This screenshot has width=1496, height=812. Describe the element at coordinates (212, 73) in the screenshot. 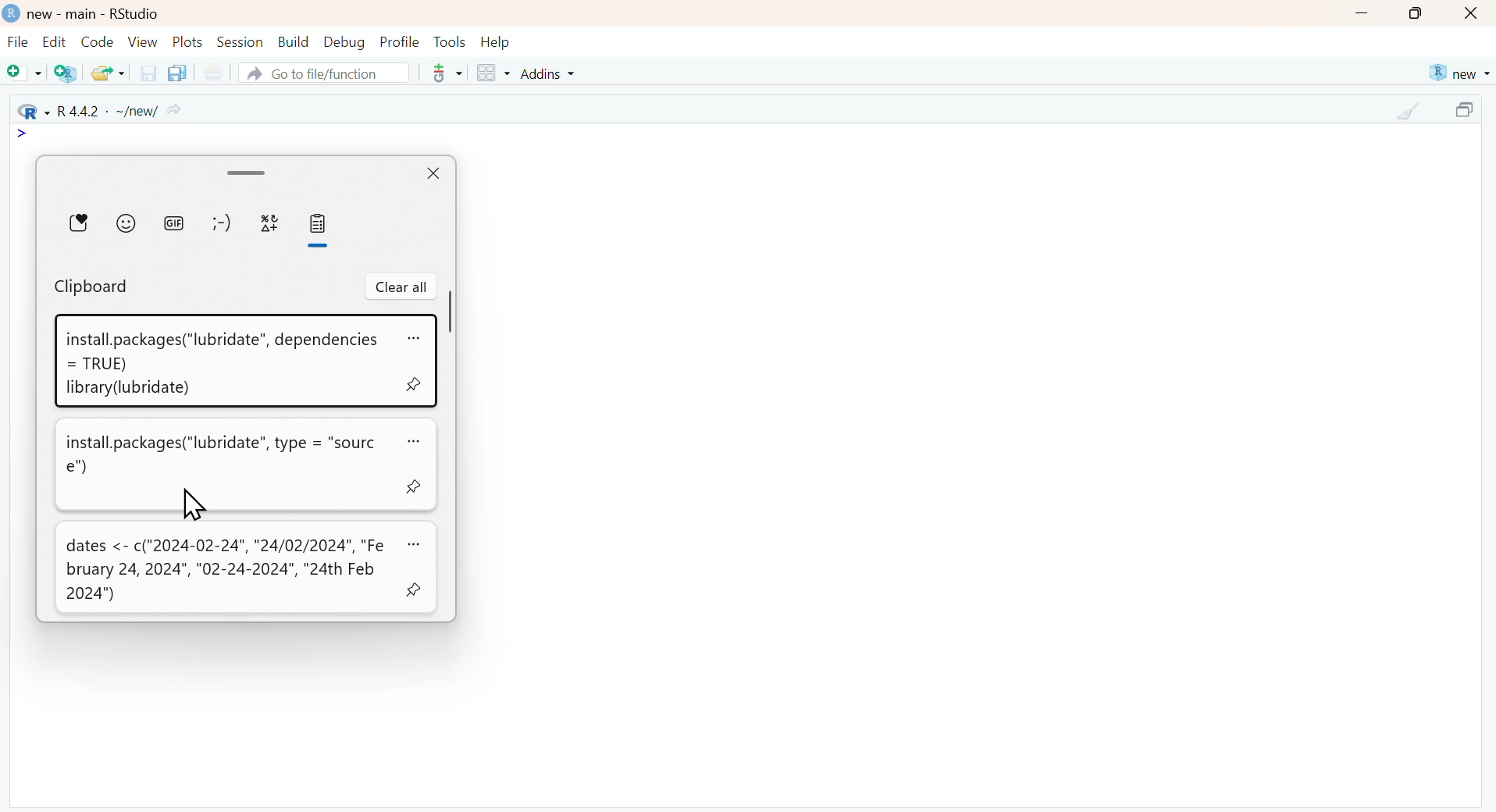

I see `print` at that location.